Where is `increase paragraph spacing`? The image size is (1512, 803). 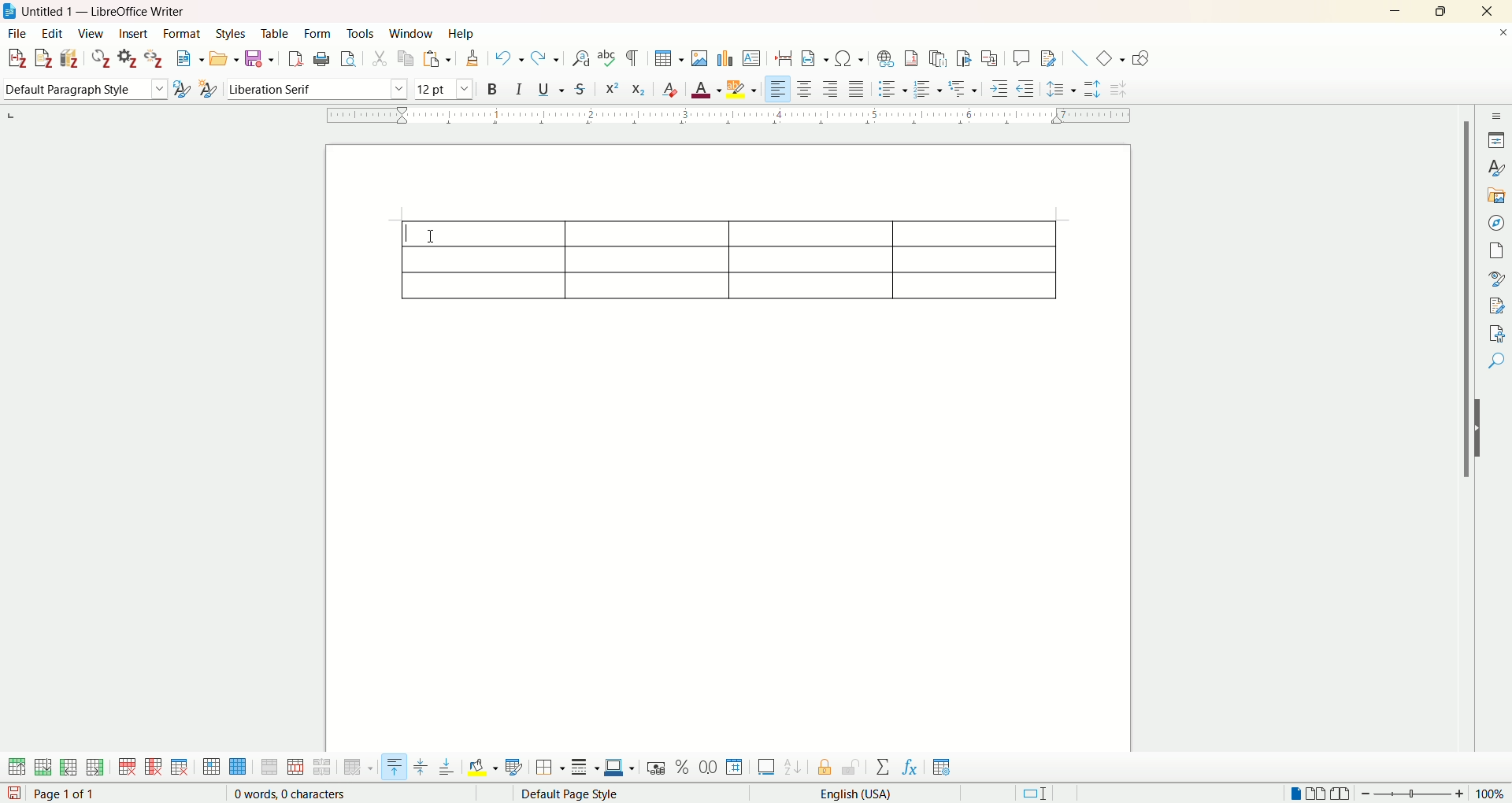 increase paragraph spacing is located at coordinates (1094, 89).